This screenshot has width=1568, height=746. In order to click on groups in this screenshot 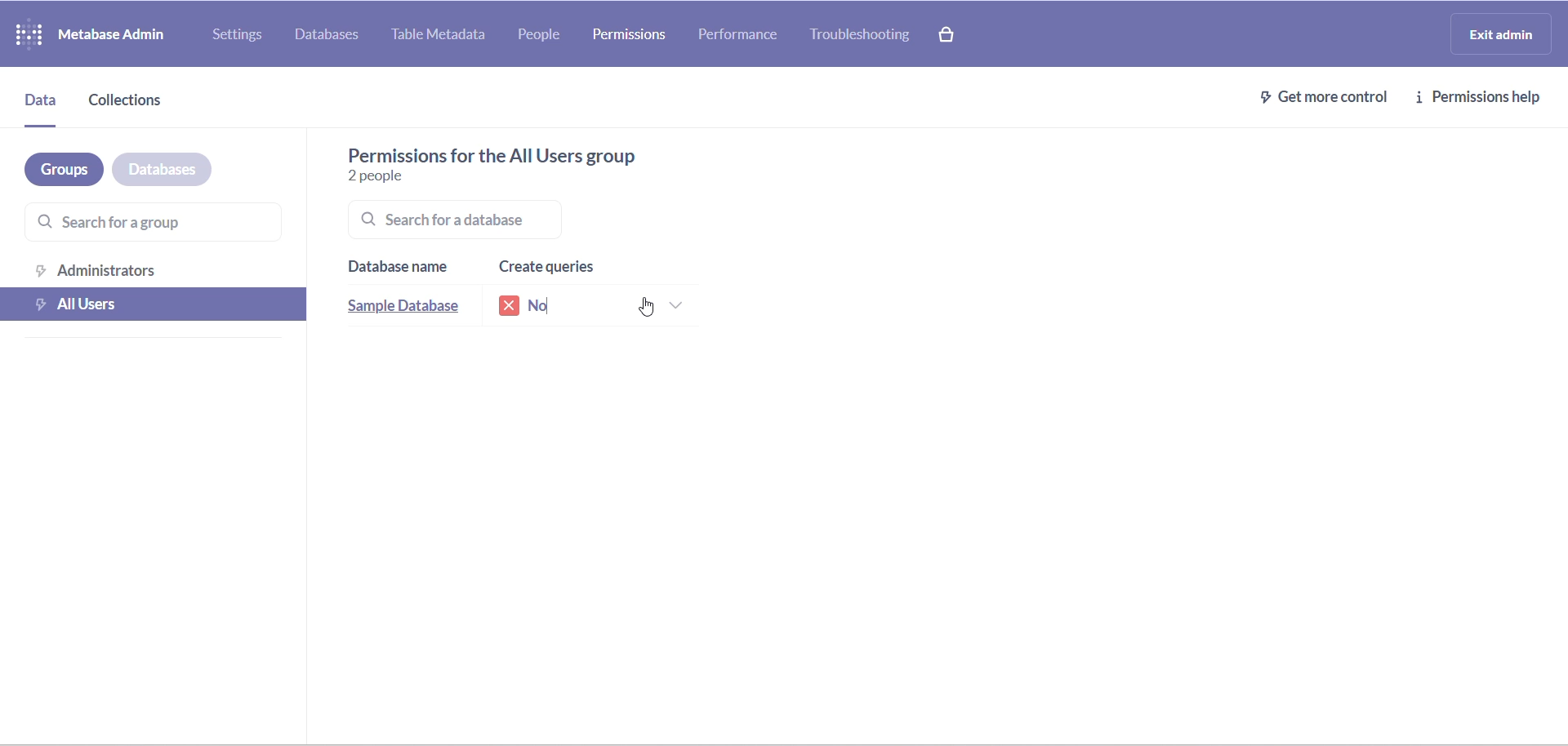, I will do `click(58, 171)`.